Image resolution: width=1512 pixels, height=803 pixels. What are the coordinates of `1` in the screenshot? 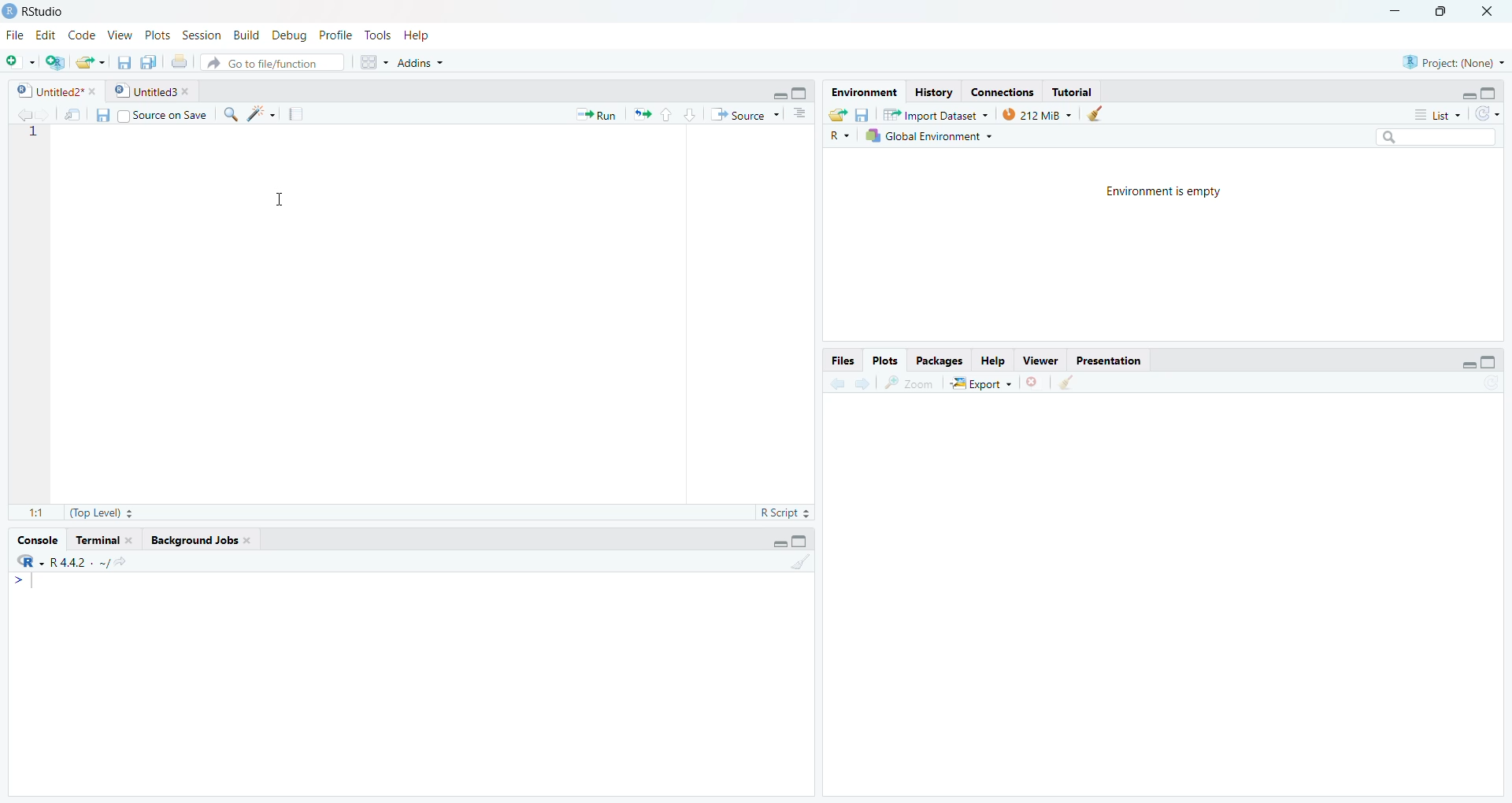 It's located at (37, 135).